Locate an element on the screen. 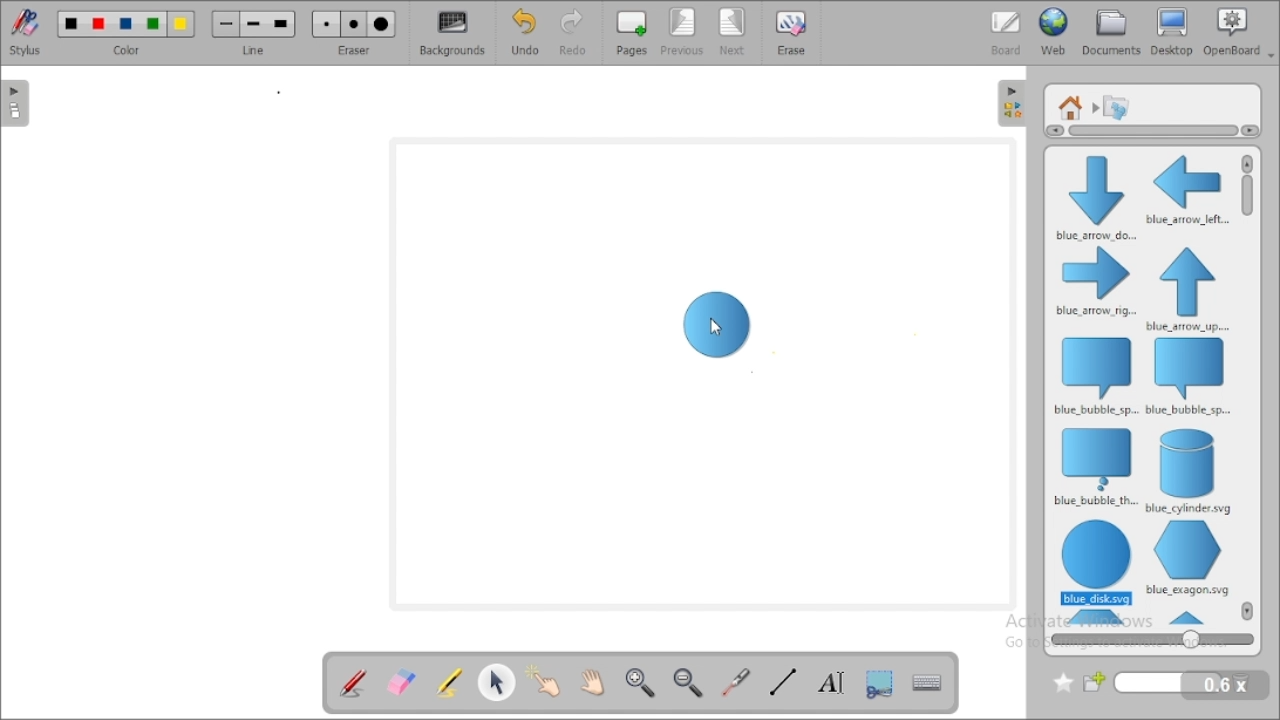 This screenshot has width=1280, height=720. blue arrow up is located at coordinates (1188, 289).